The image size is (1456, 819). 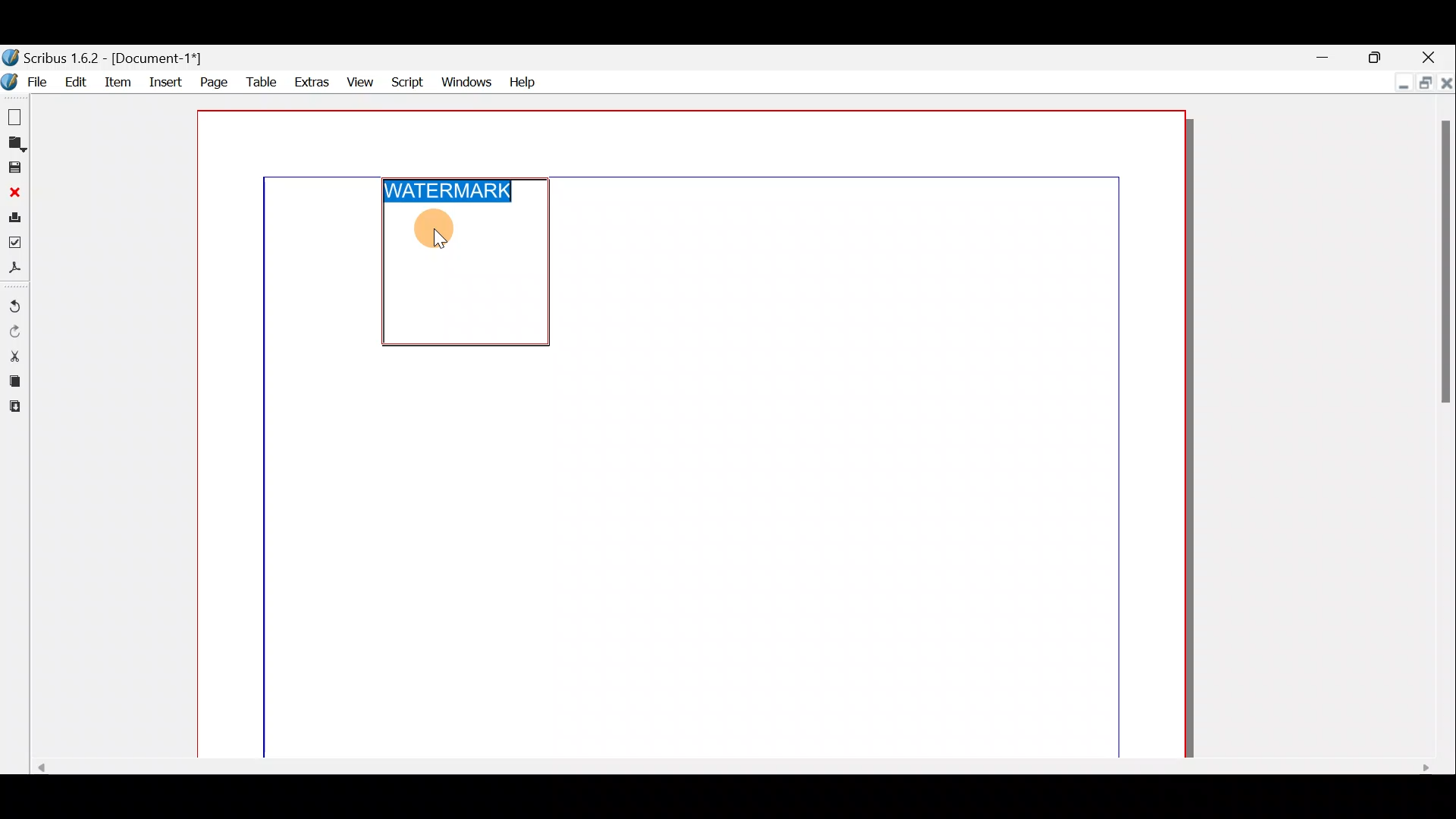 What do you see at coordinates (14, 332) in the screenshot?
I see `Redo` at bounding box center [14, 332].